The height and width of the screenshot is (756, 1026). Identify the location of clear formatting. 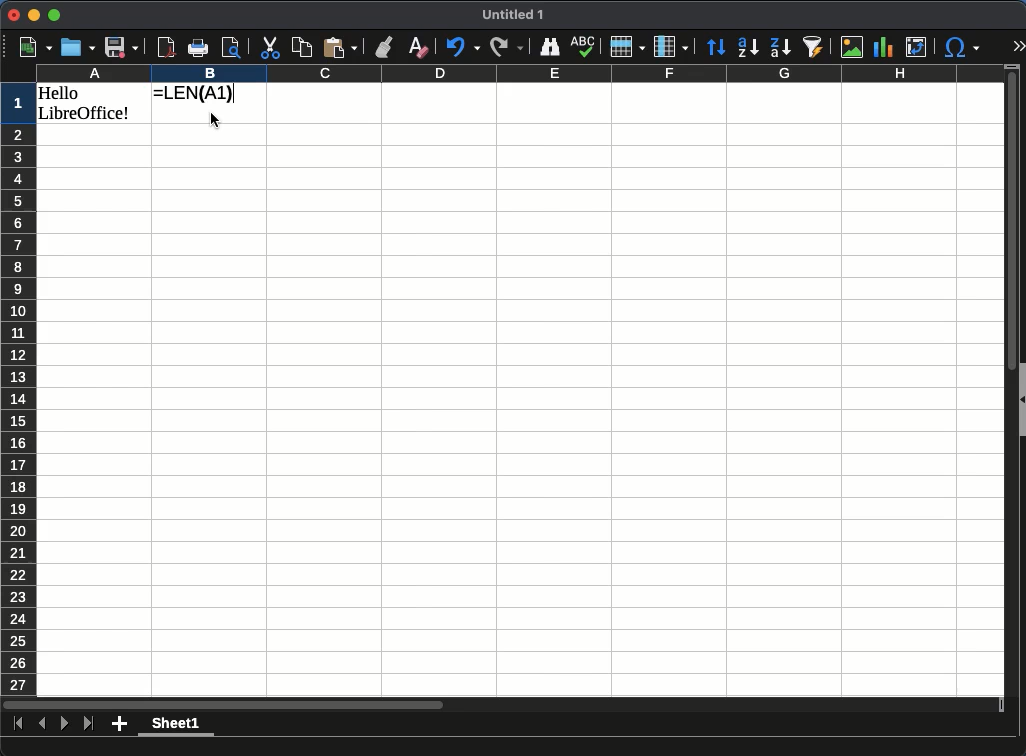
(414, 47).